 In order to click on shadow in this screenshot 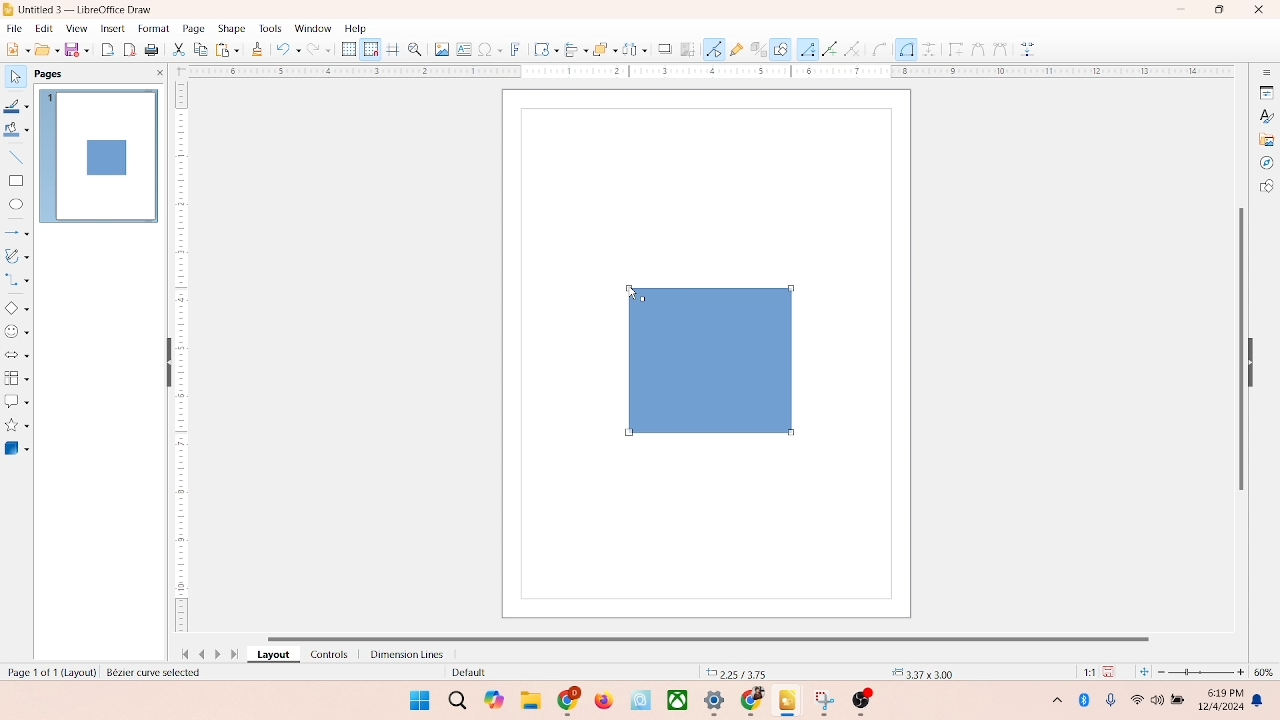, I will do `click(662, 47)`.